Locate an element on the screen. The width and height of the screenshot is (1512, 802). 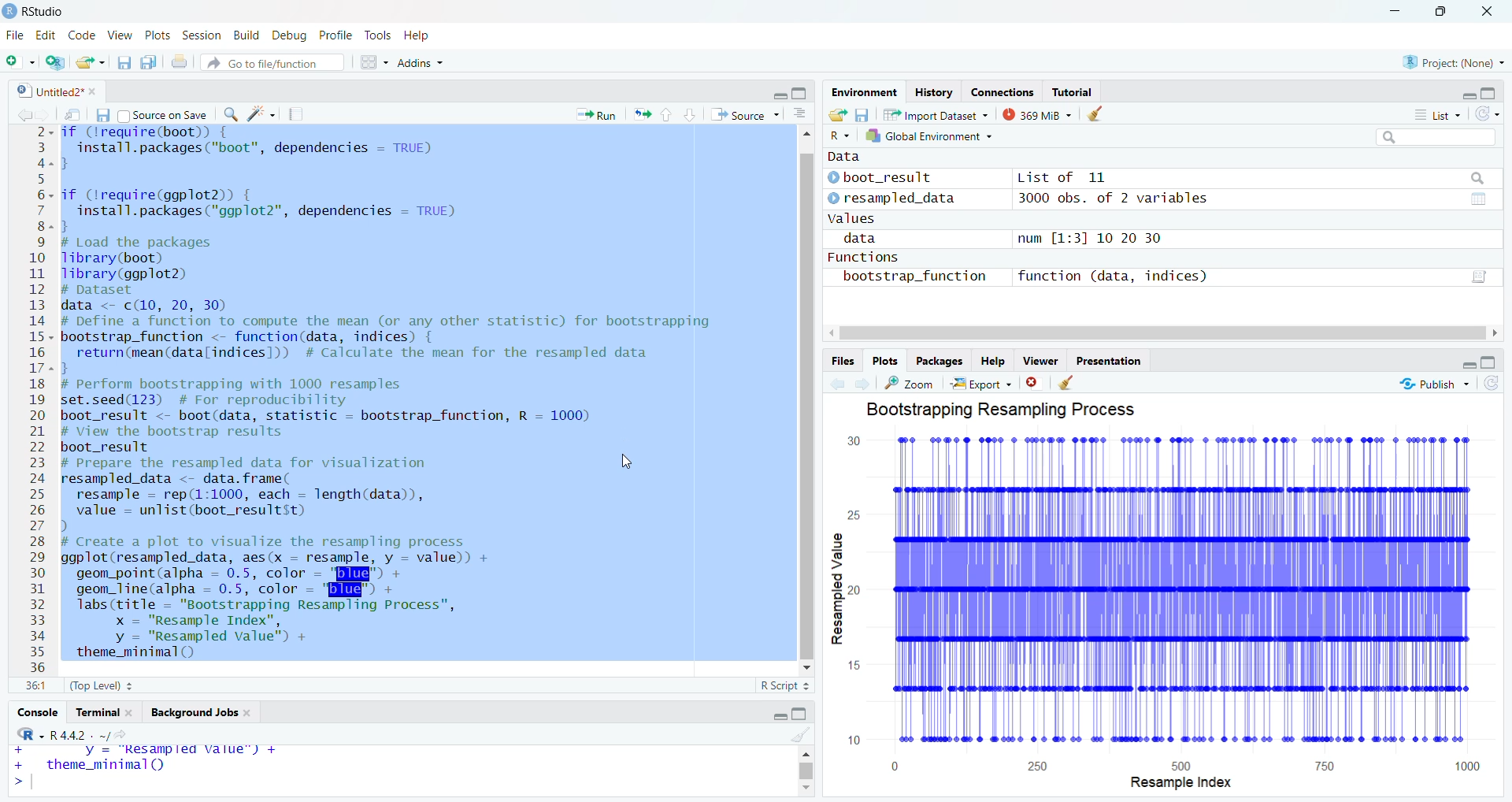
hide console is located at coordinates (1490, 91).